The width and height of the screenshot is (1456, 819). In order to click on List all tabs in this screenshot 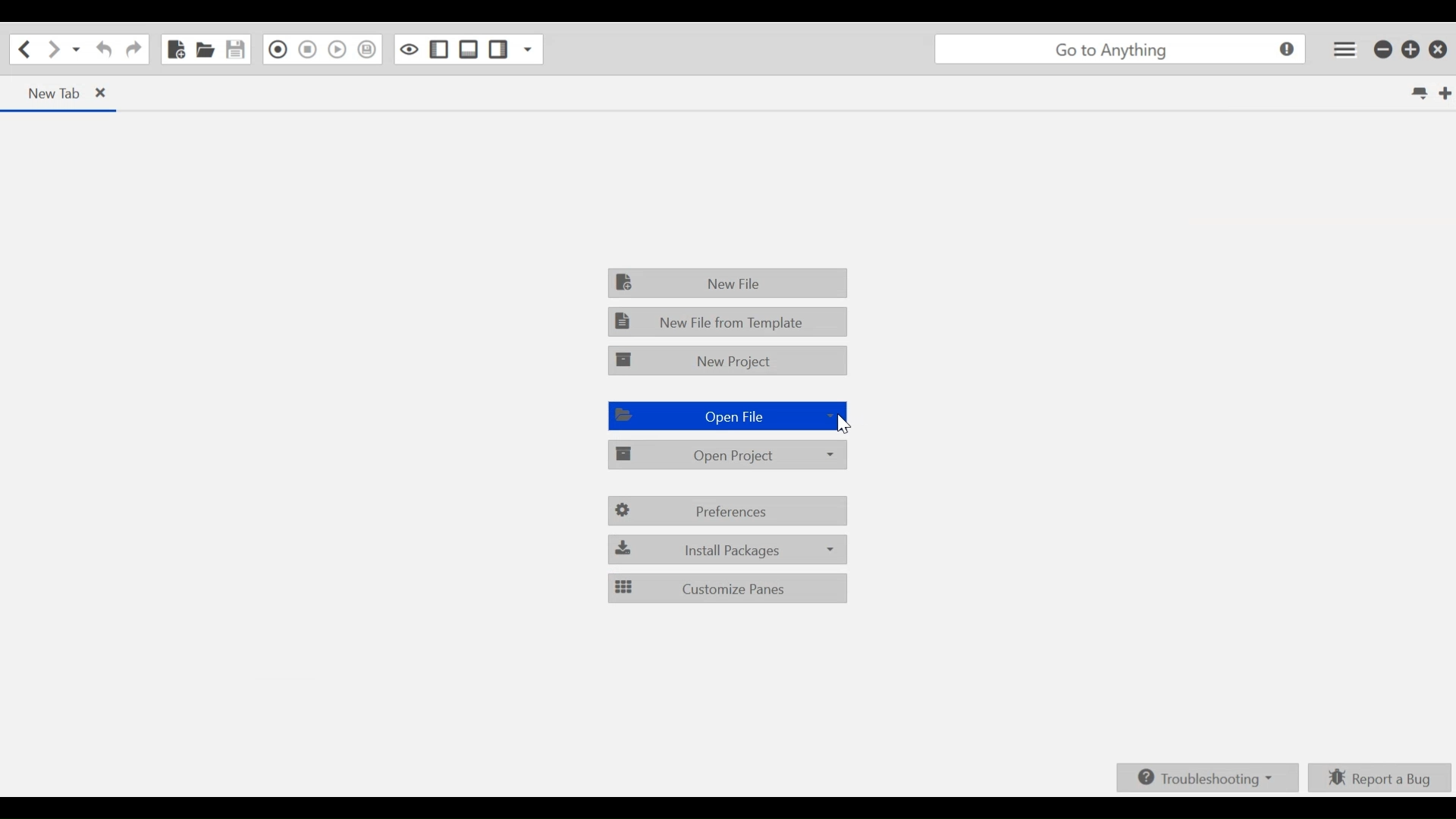, I will do `click(1417, 93)`.